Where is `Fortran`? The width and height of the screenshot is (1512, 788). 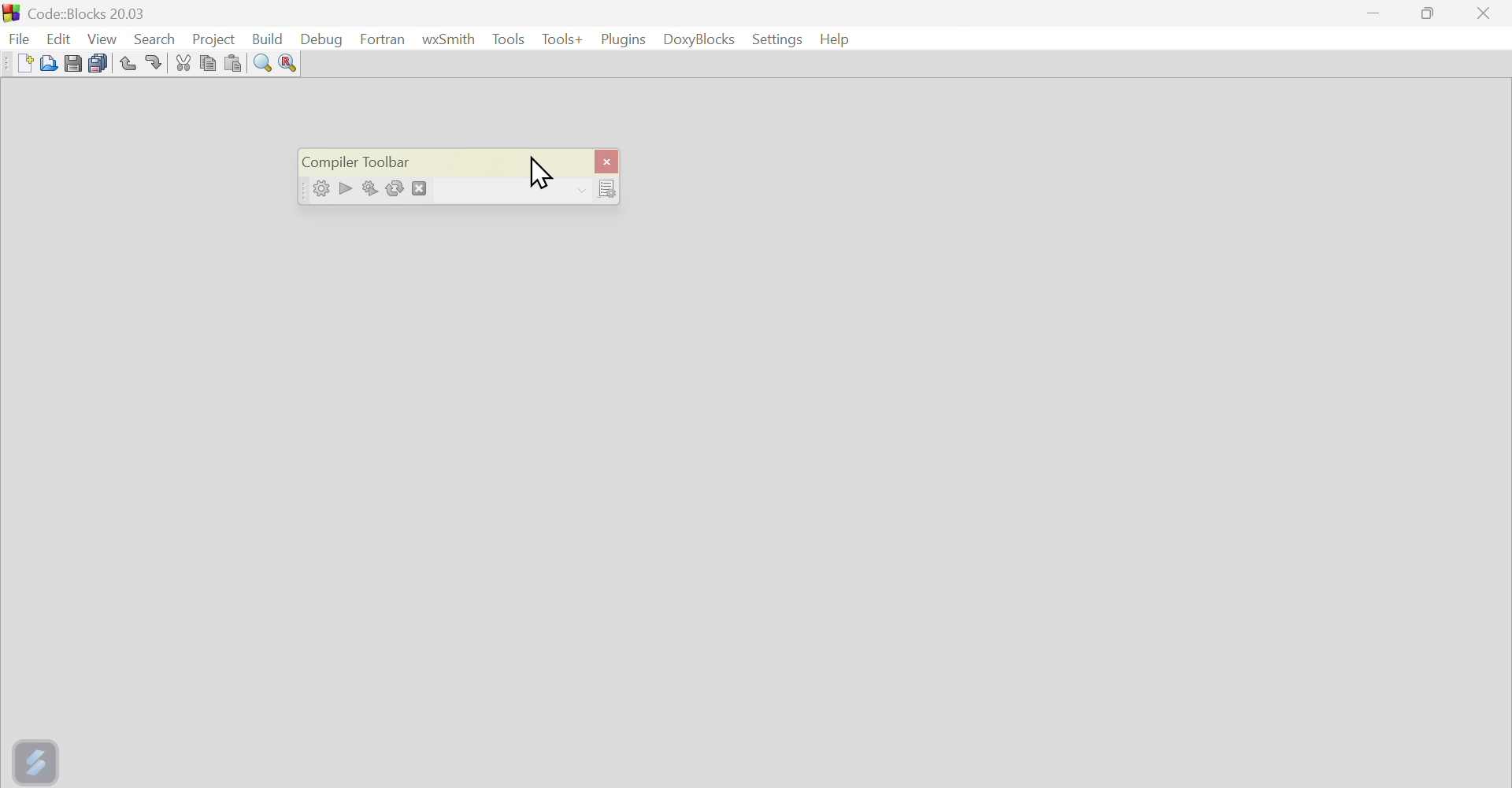
Fortran is located at coordinates (383, 39).